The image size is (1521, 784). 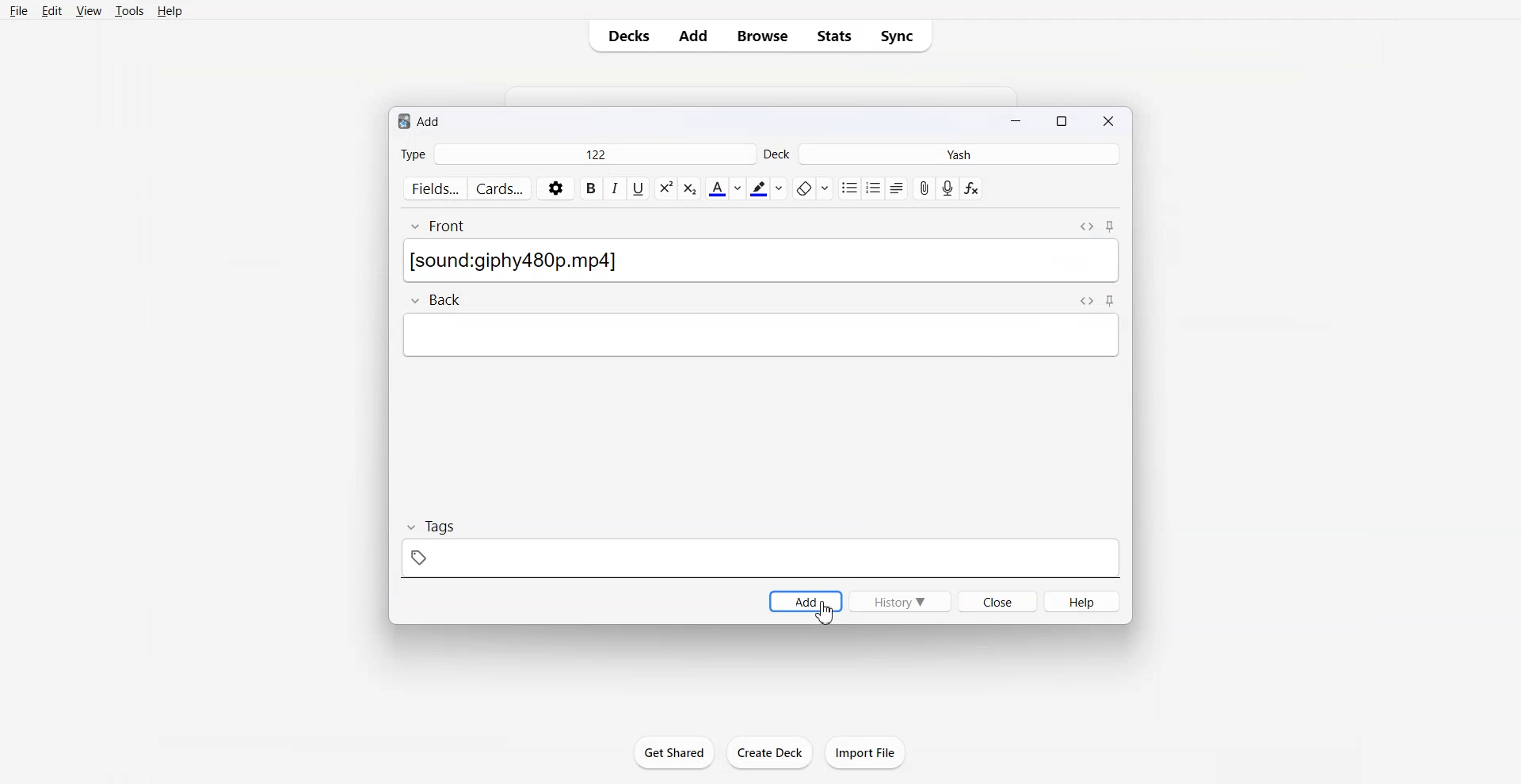 I want to click on Add, so click(x=692, y=36).